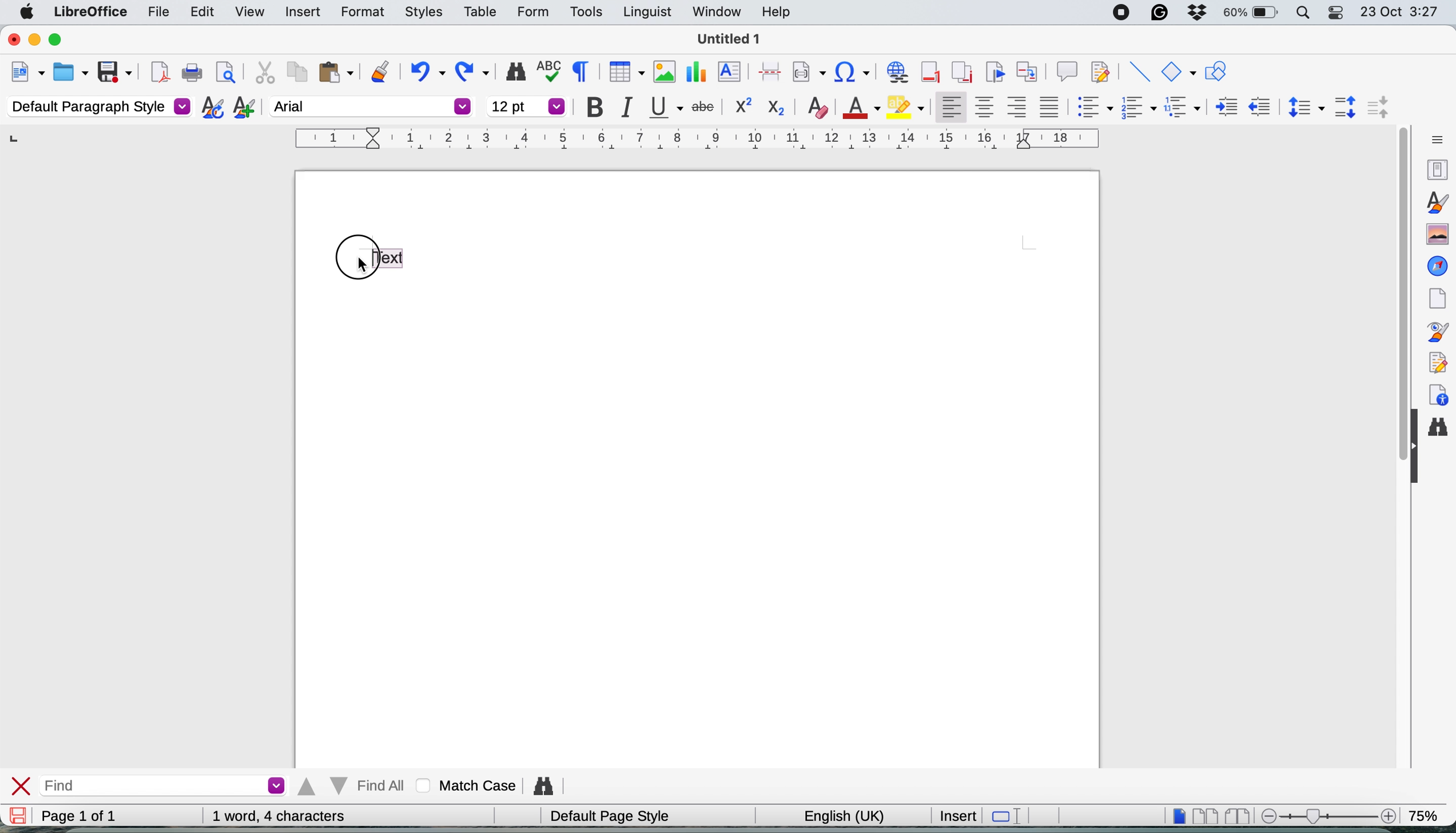  I want to click on cut, so click(262, 73).